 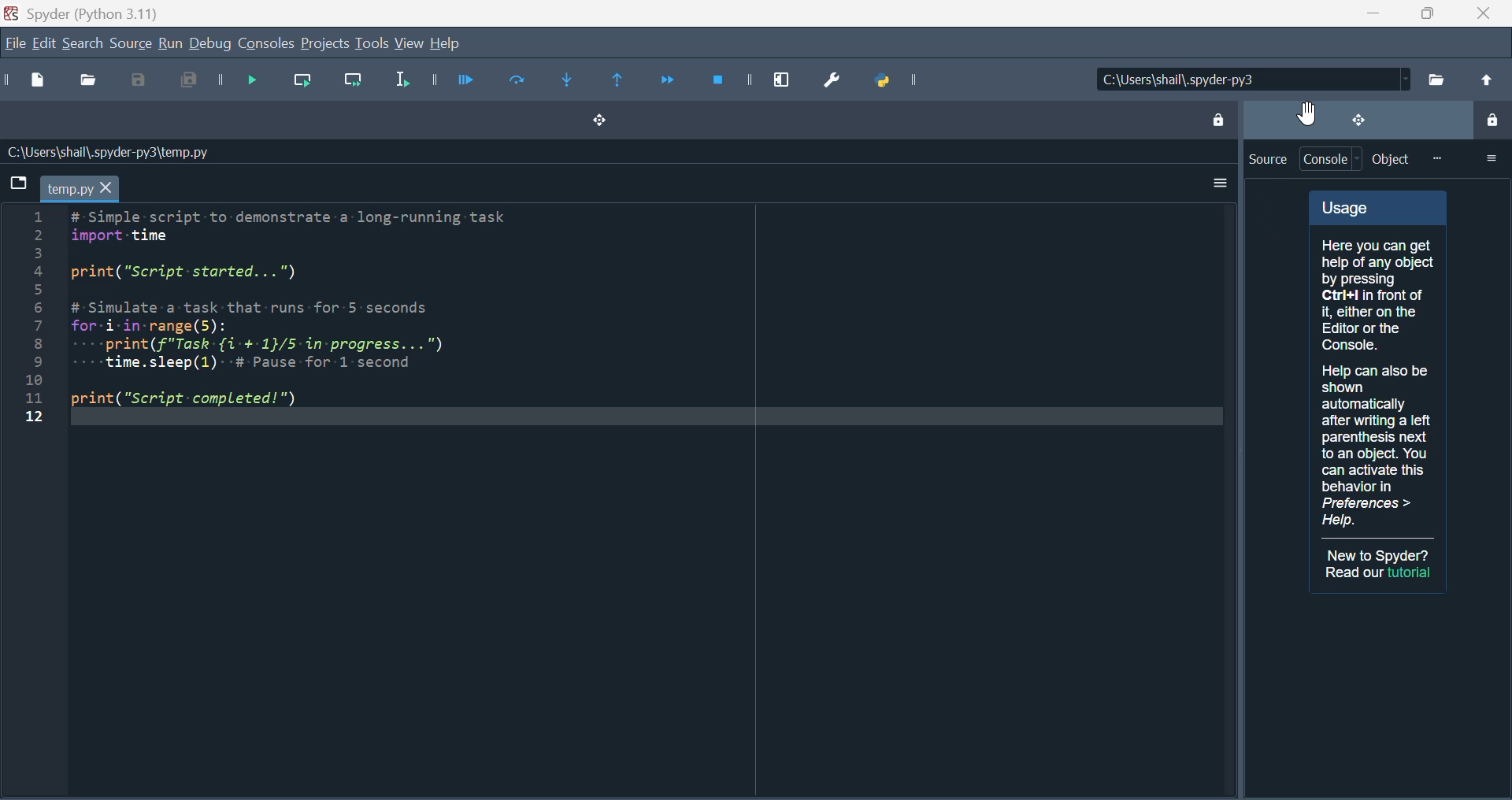 What do you see at coordinates (906, 80) in the screenshot?
I see `Python path manager` at bounding box center [906, 80].